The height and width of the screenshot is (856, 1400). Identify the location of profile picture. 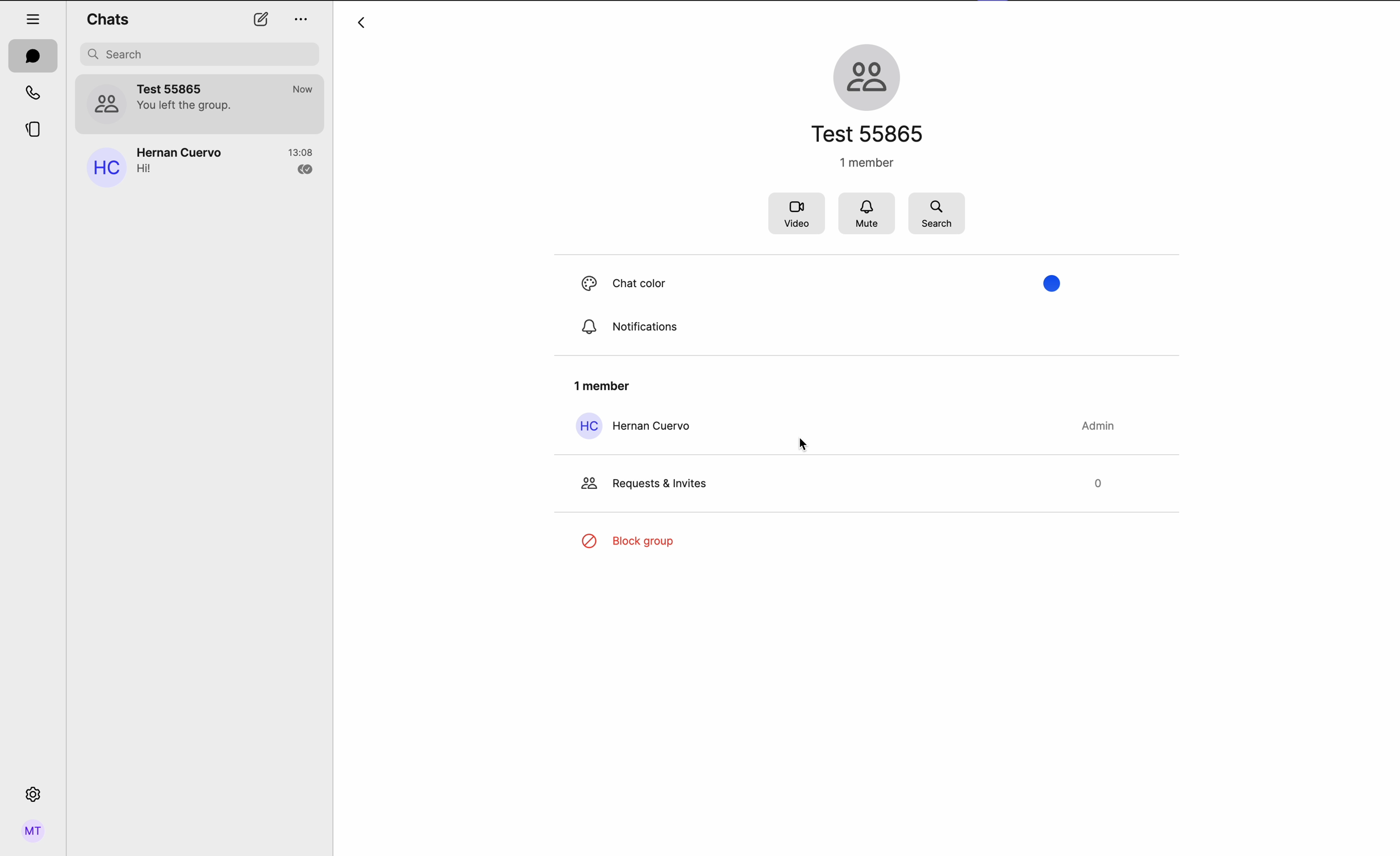
(104, 169).